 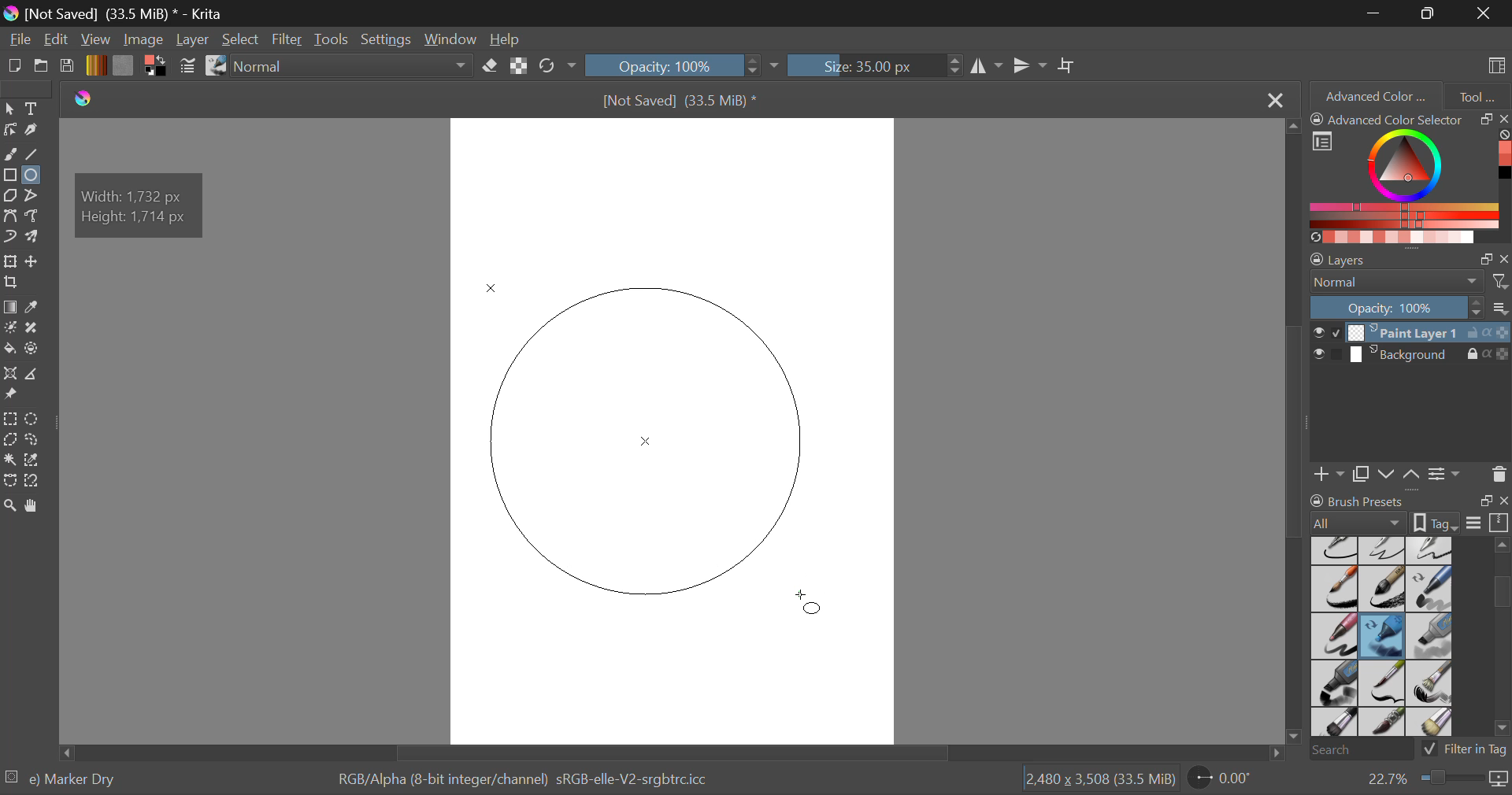 What do you see at coordinates (455, 40) in the screenshot?
I see `Window` at bounding box center [455, 40].